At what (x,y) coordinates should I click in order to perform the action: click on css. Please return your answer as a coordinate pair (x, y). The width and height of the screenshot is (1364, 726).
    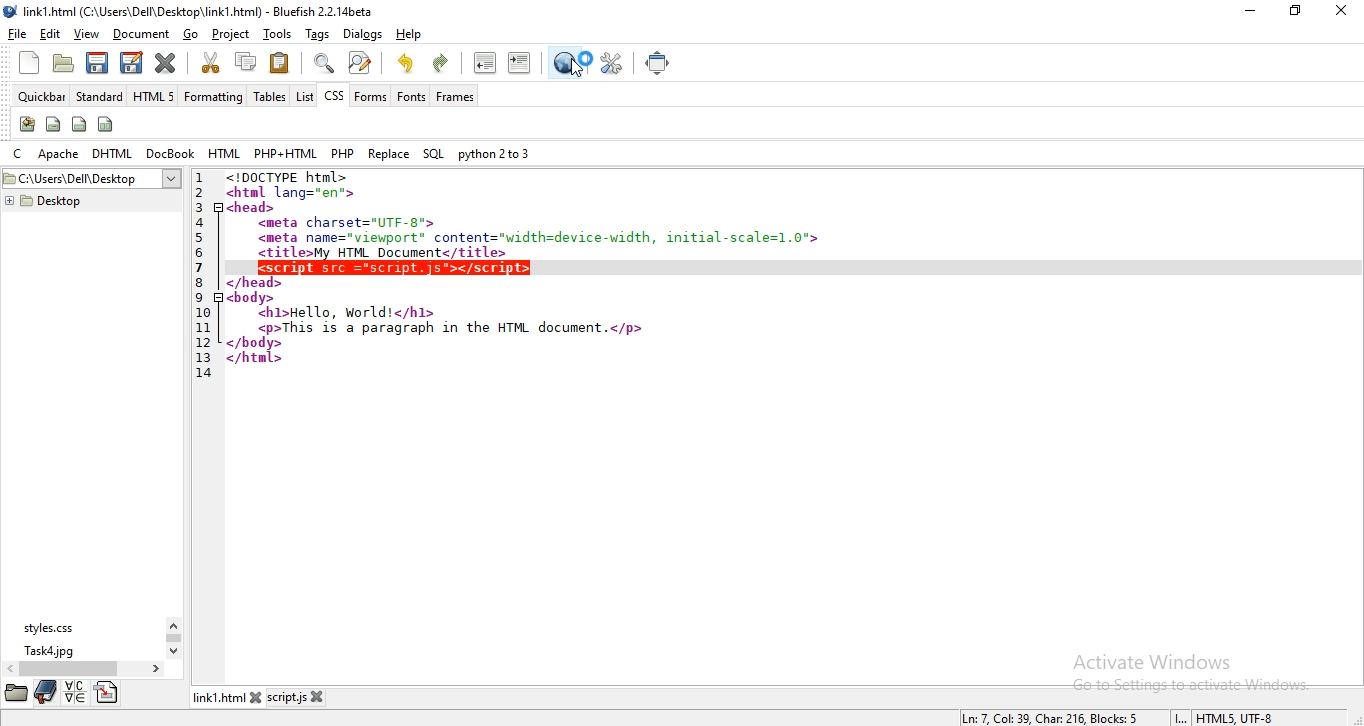
    Looking at the image, I should click on (332, 95).